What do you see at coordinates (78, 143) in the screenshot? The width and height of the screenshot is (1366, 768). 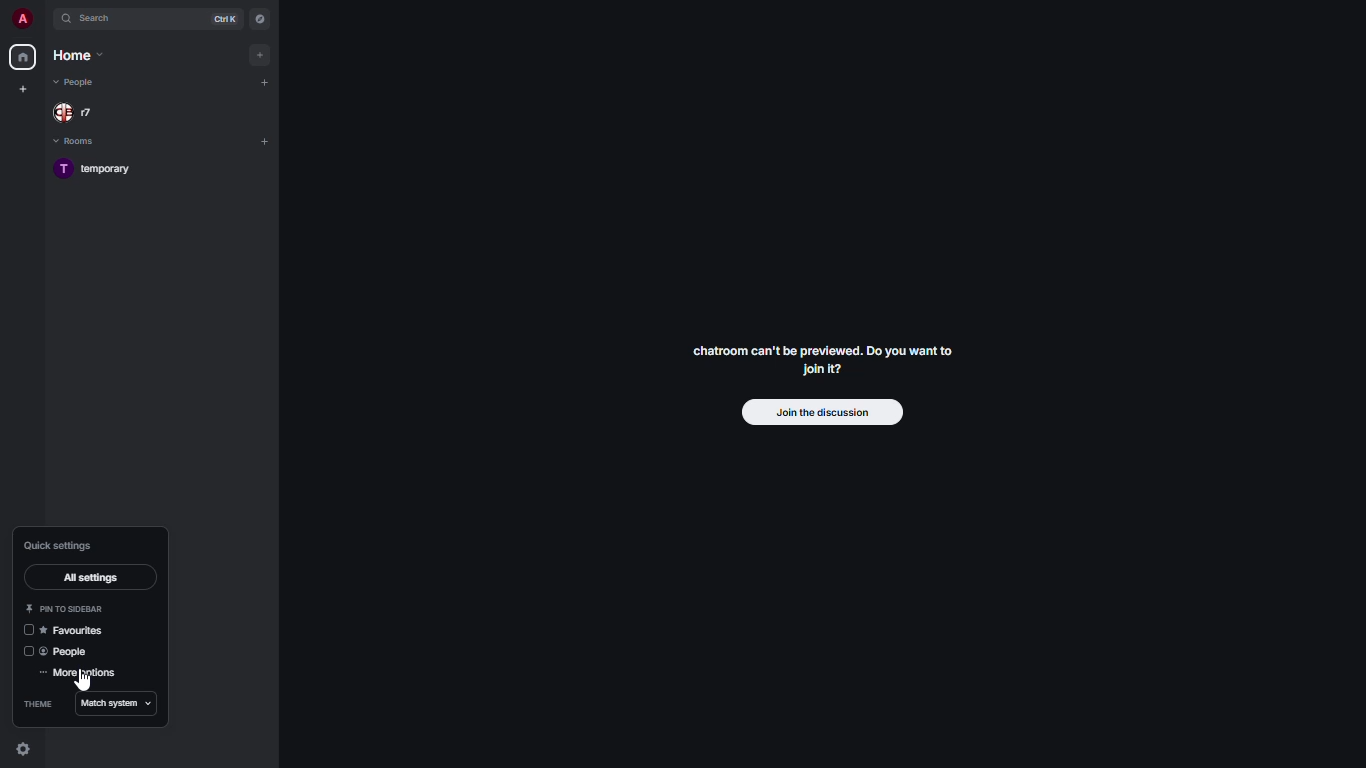 I see `rooms` at bounding box center [78, 143].